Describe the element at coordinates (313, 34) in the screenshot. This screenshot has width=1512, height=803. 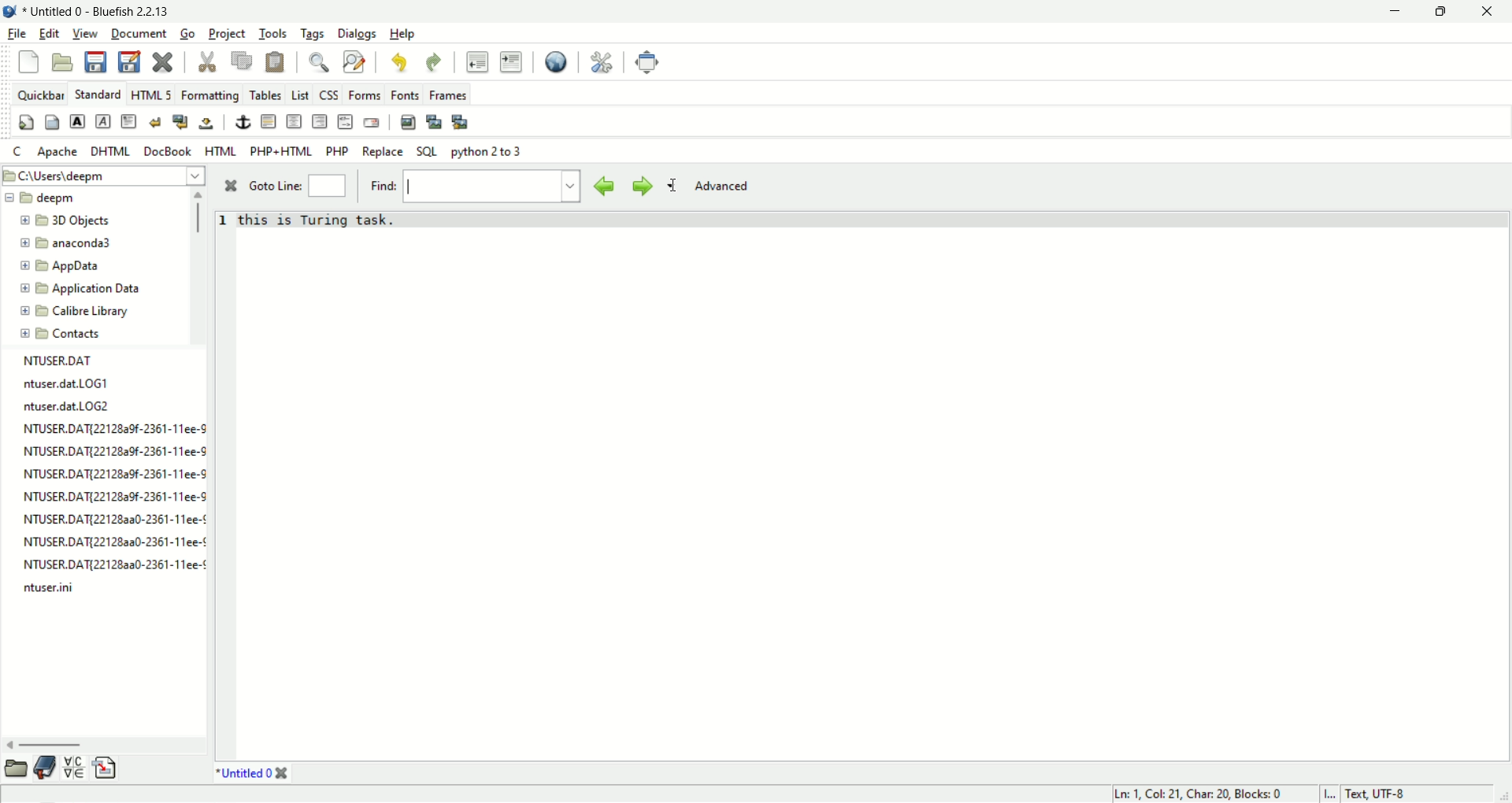
I see `tags` at that location.